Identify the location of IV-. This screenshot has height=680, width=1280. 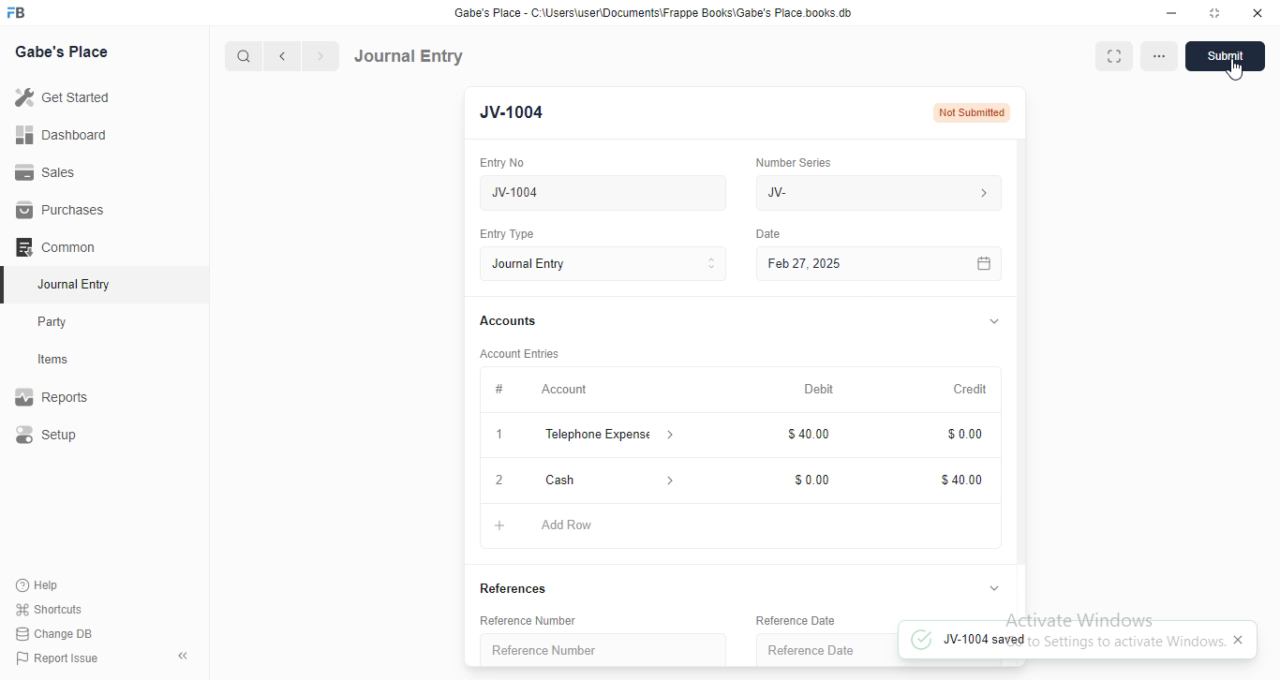
(877, 192).